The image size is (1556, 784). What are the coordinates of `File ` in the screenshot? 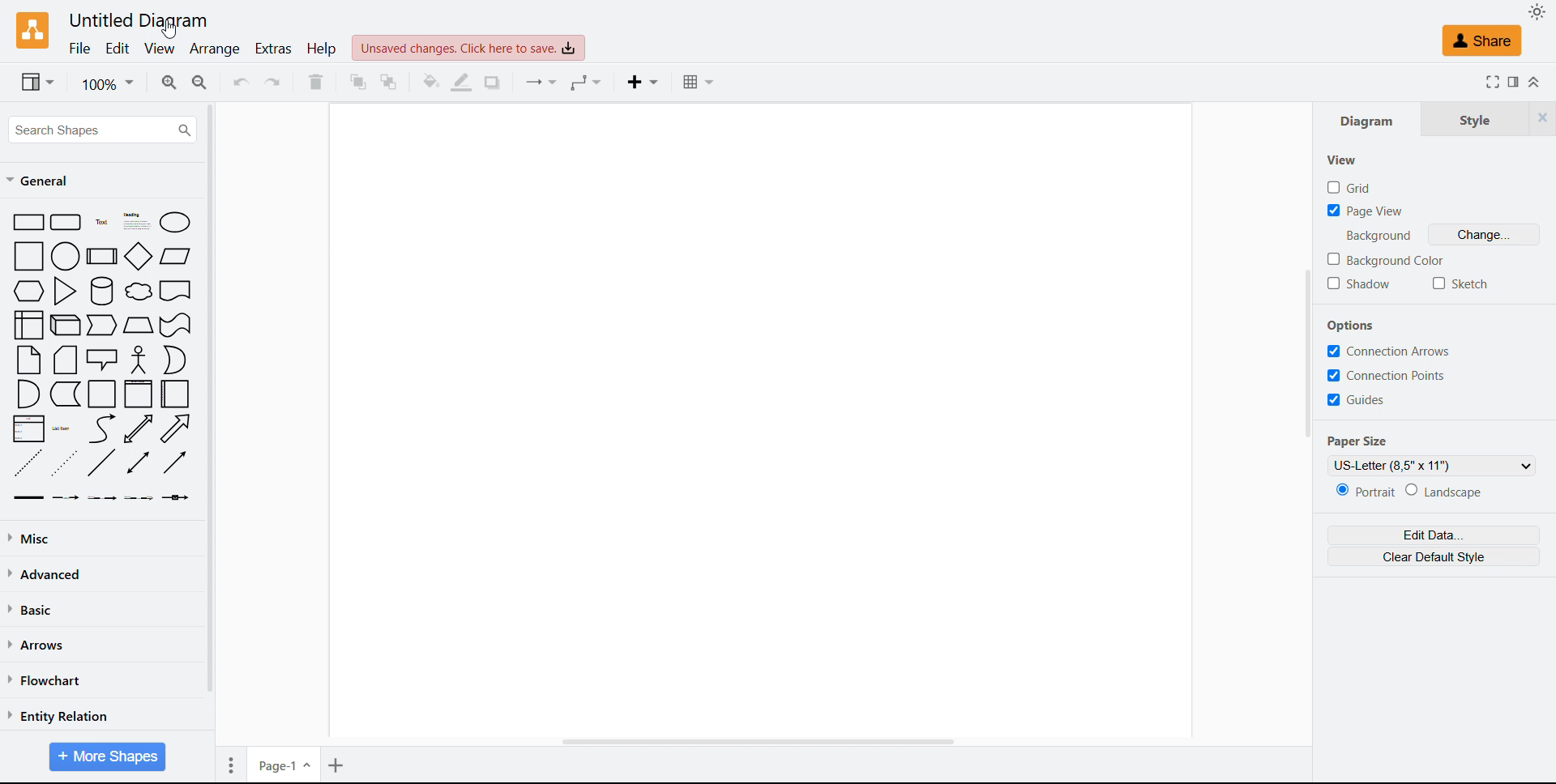 It's located at (79, 49).